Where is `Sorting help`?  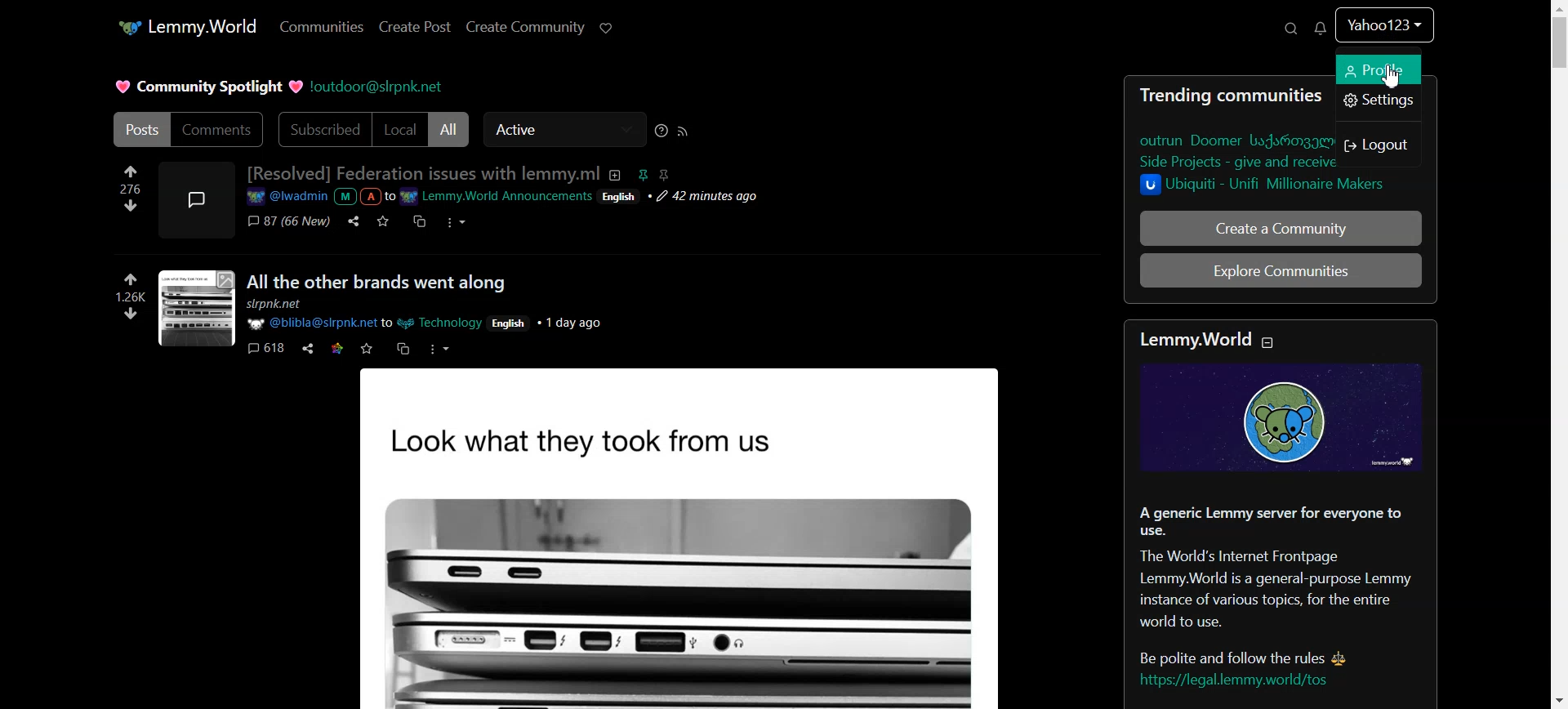
Sorting help is located at coordinates (661, 131).